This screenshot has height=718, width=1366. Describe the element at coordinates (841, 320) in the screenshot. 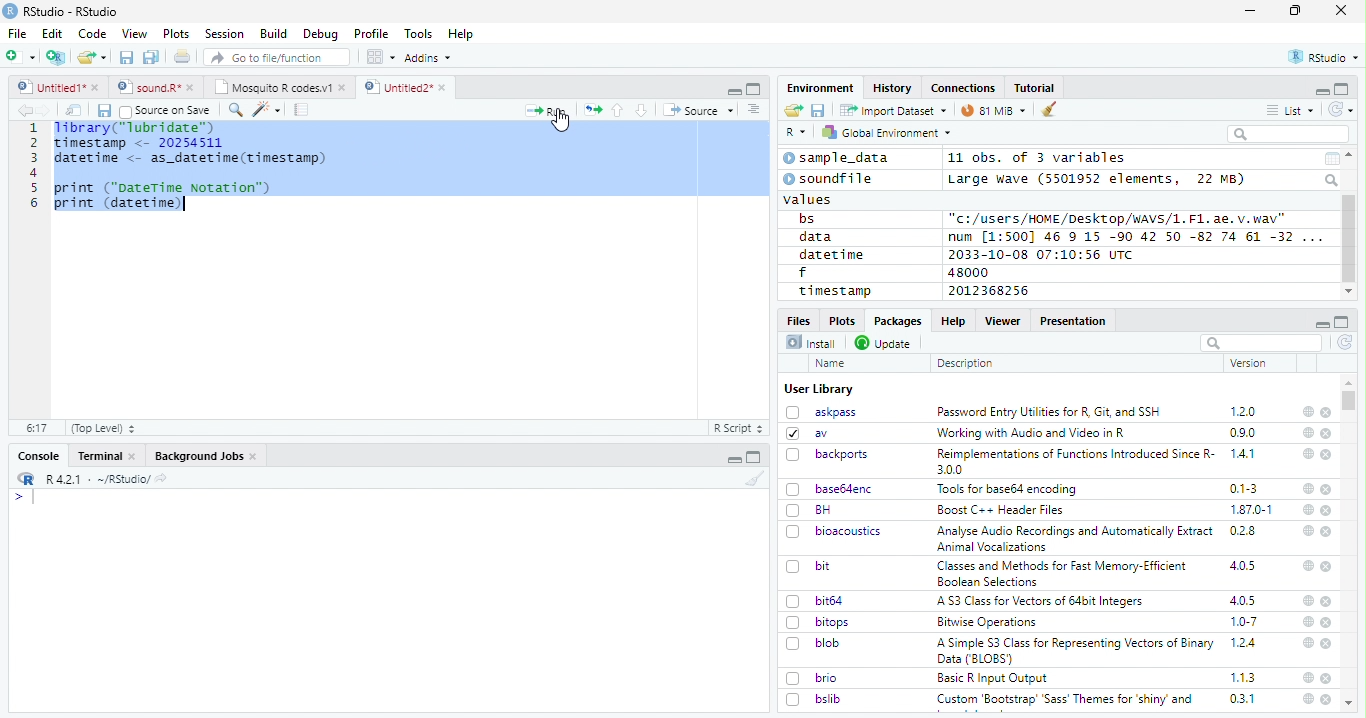

I see `Plots` at that location.